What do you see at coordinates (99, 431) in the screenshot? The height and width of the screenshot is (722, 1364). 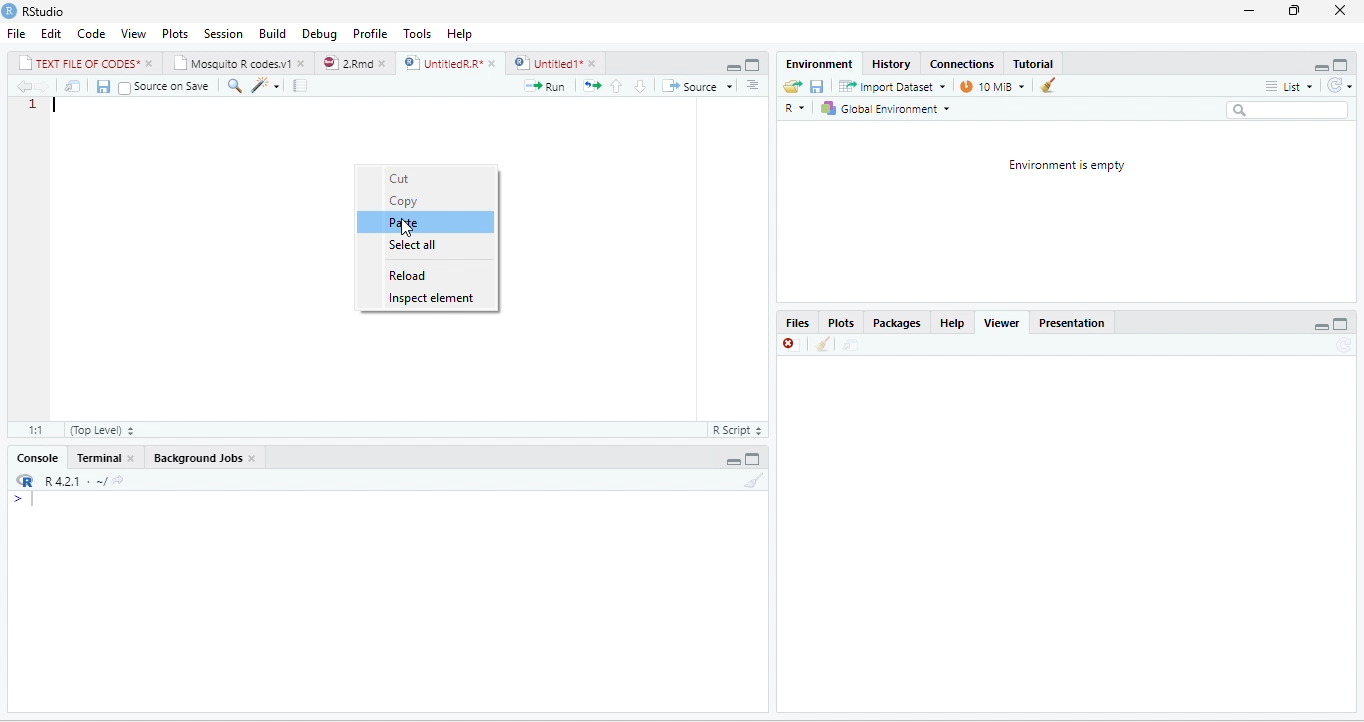 I see `(top level)` at bounding box center [99, 431].